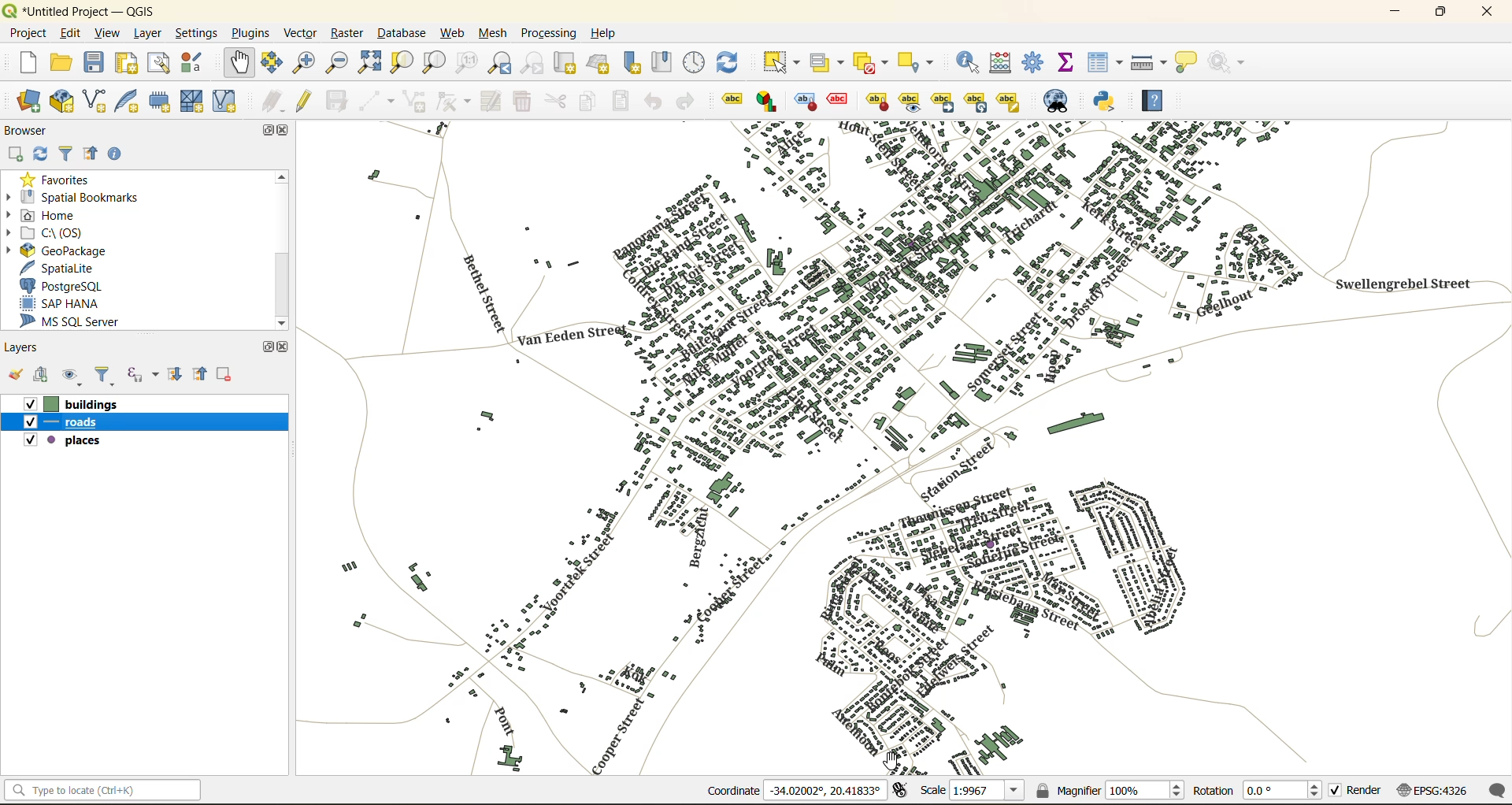 Image resolution: width=1512 pixels, height=805 pixels. I want to click on open, so click(13, 373).